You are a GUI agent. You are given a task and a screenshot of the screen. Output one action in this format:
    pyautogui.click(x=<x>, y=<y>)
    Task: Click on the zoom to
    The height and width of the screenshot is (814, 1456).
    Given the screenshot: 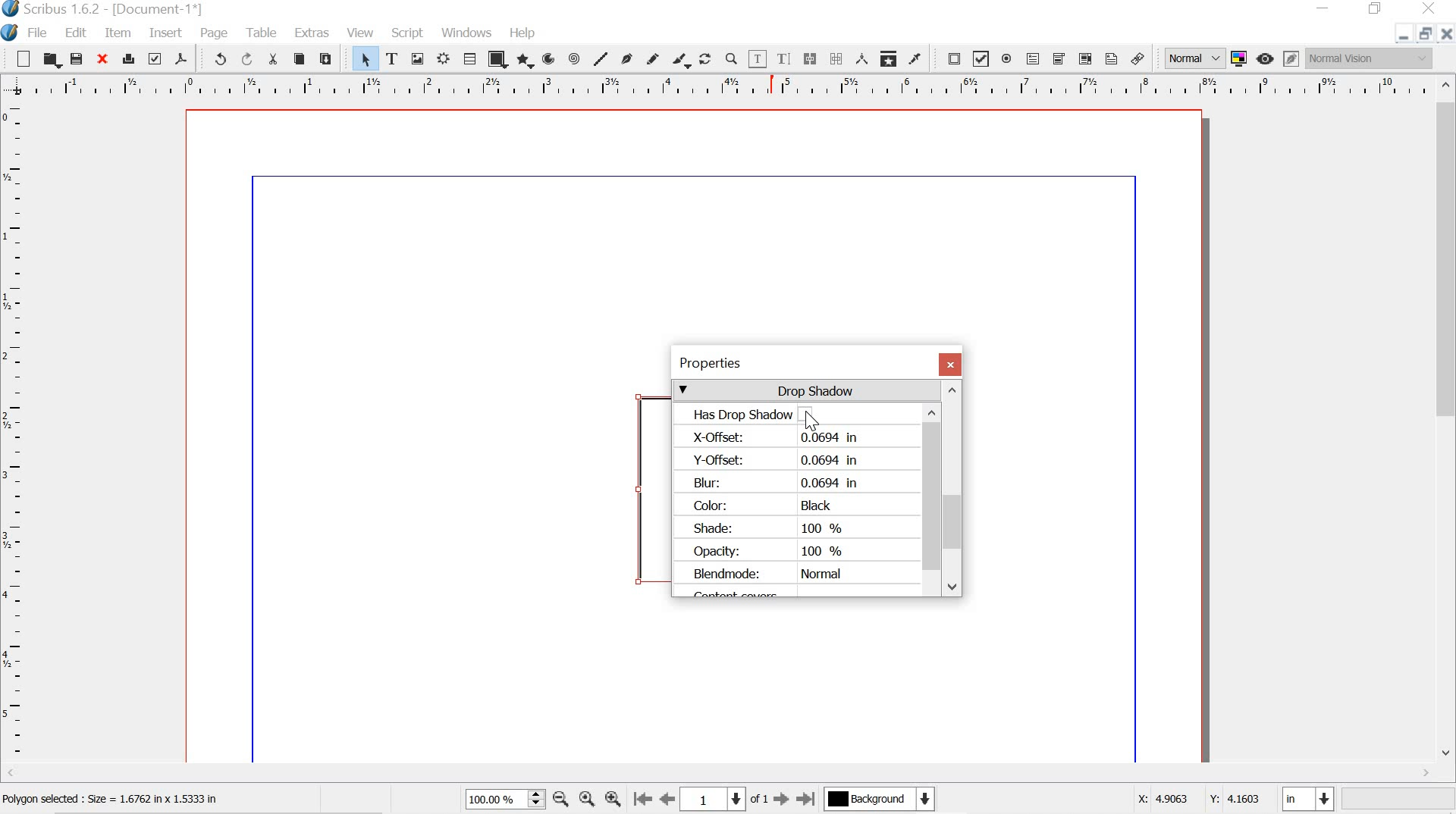 What is the action you would take?
    pyautogui.click(x=589, y=800)
    